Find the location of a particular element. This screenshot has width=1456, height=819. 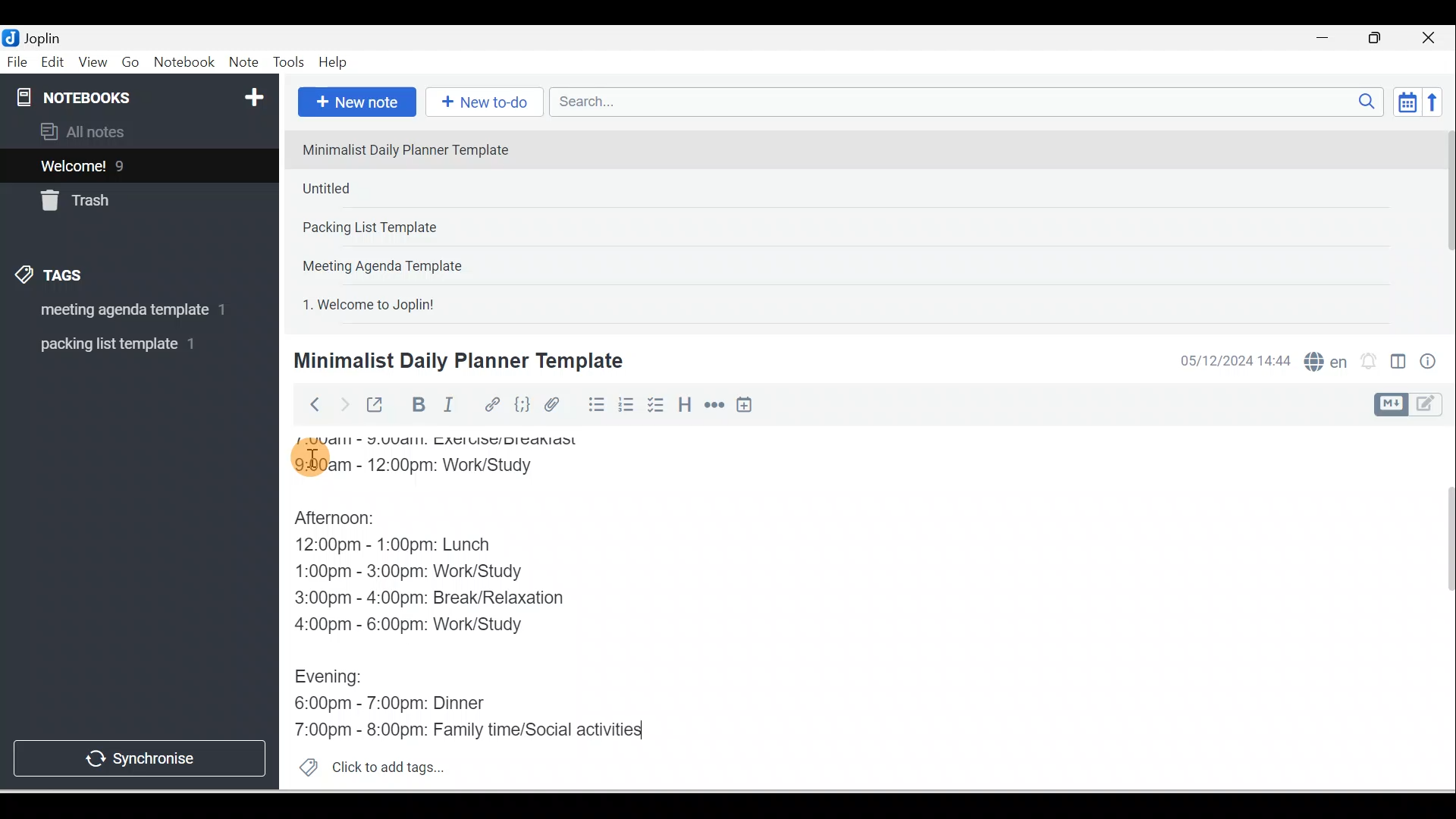

All notes is located at coordinates (137, 131).